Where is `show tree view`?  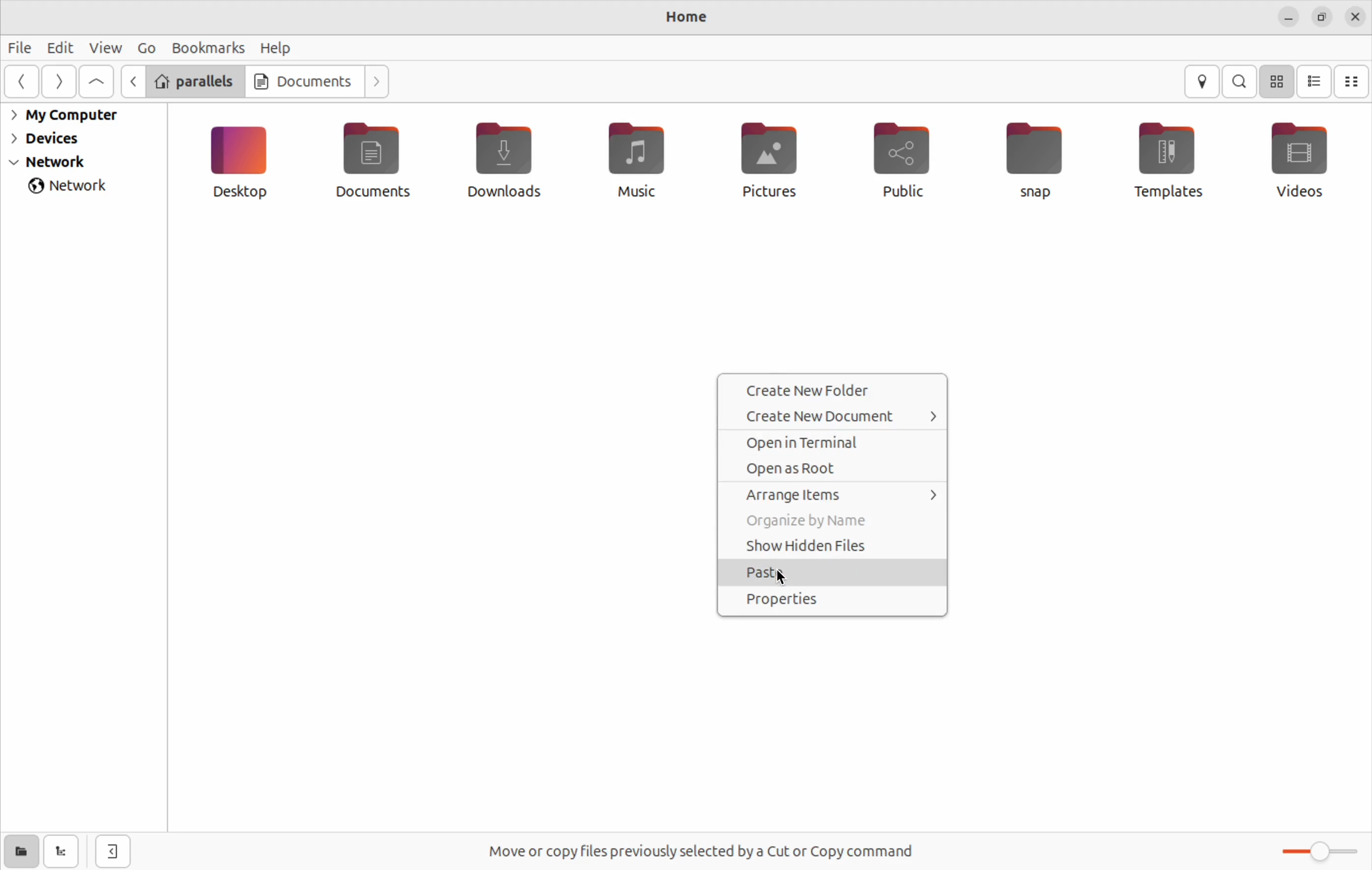 show tree view is located at coordinates (60, 852).